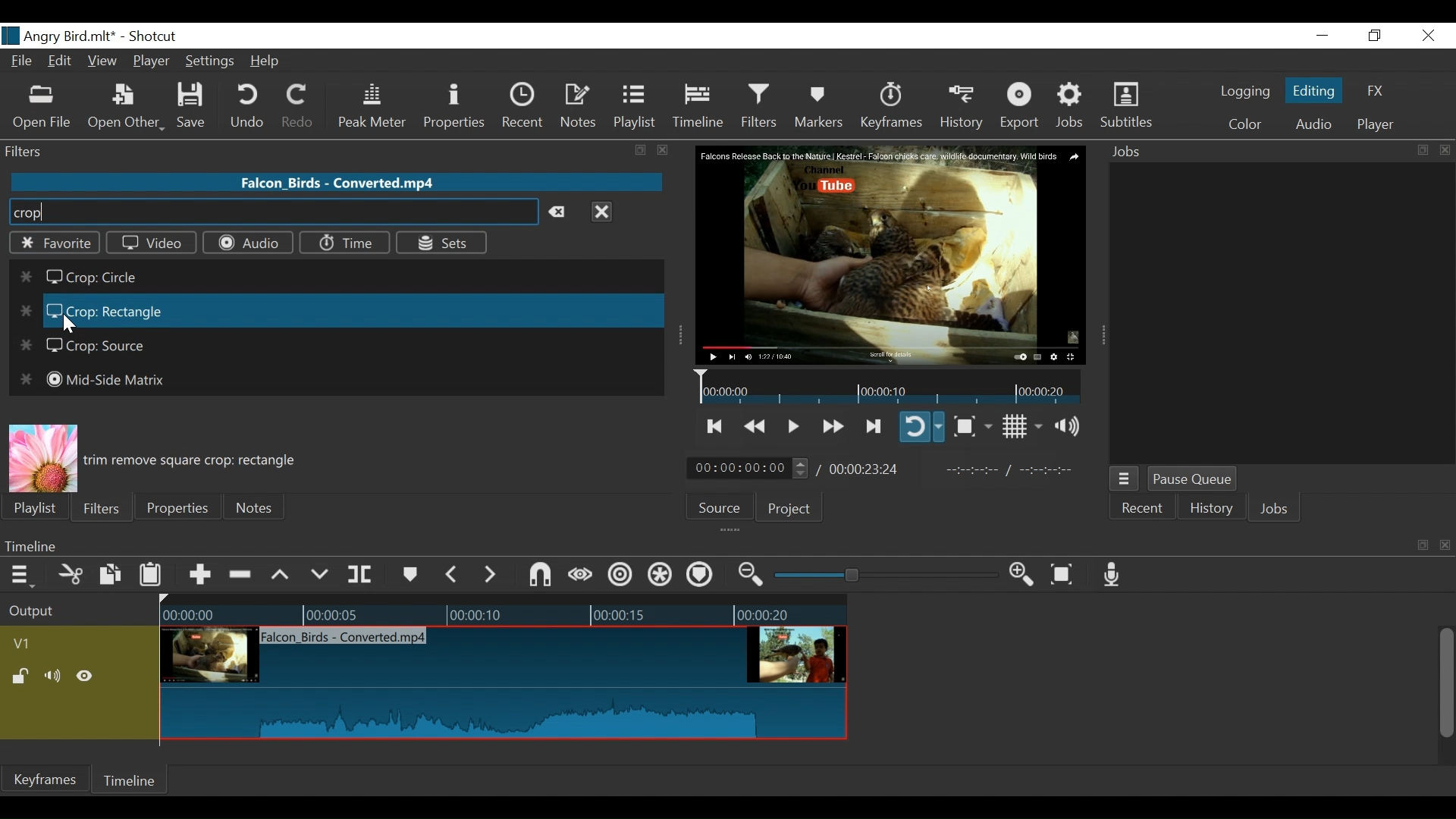 This screenshot has height=819, width=1456. Describe the element at coordinates (890, 386) in the screenshot. I see `Timeline` at that location.